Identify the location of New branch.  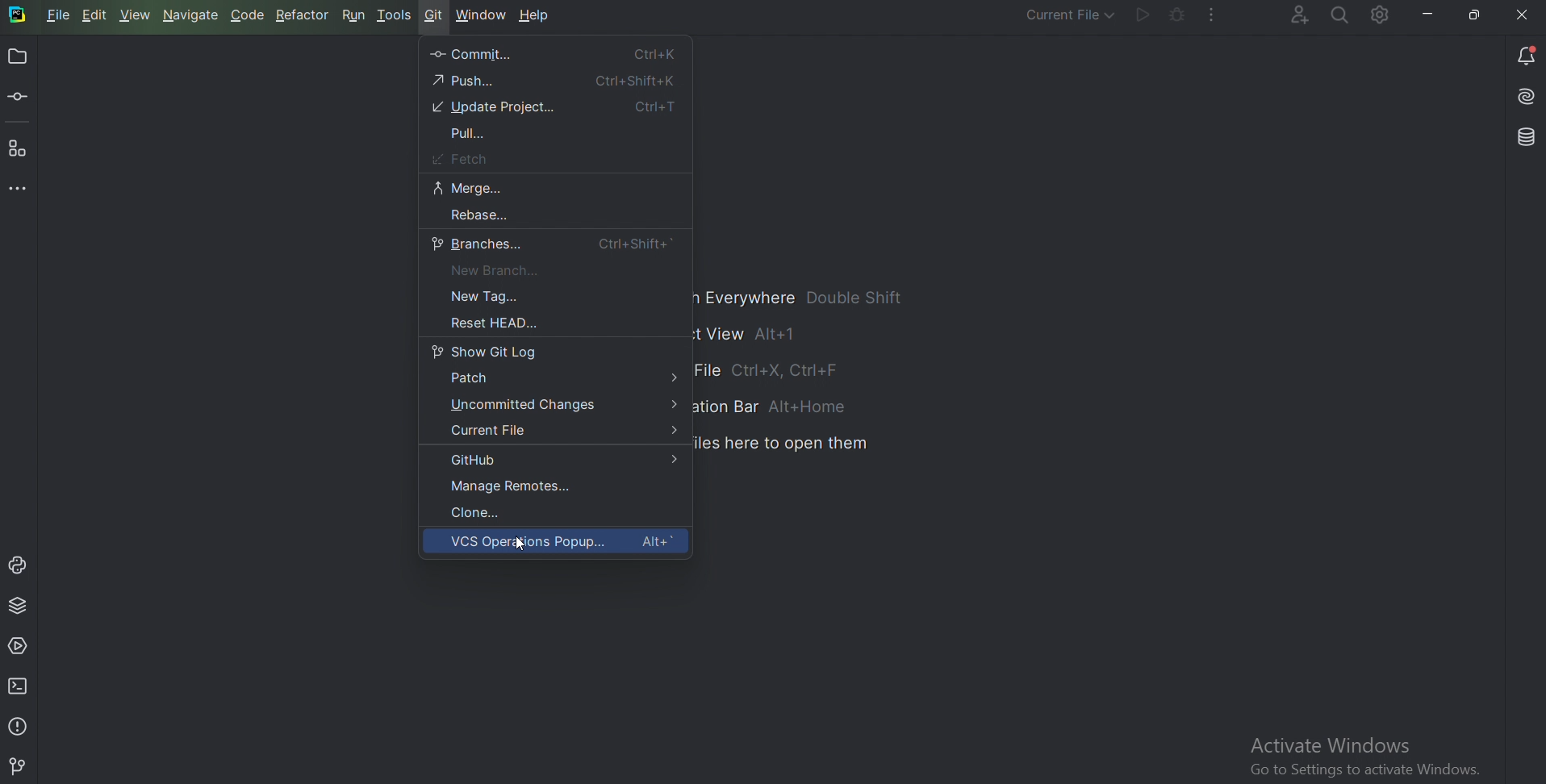
(492, 270).